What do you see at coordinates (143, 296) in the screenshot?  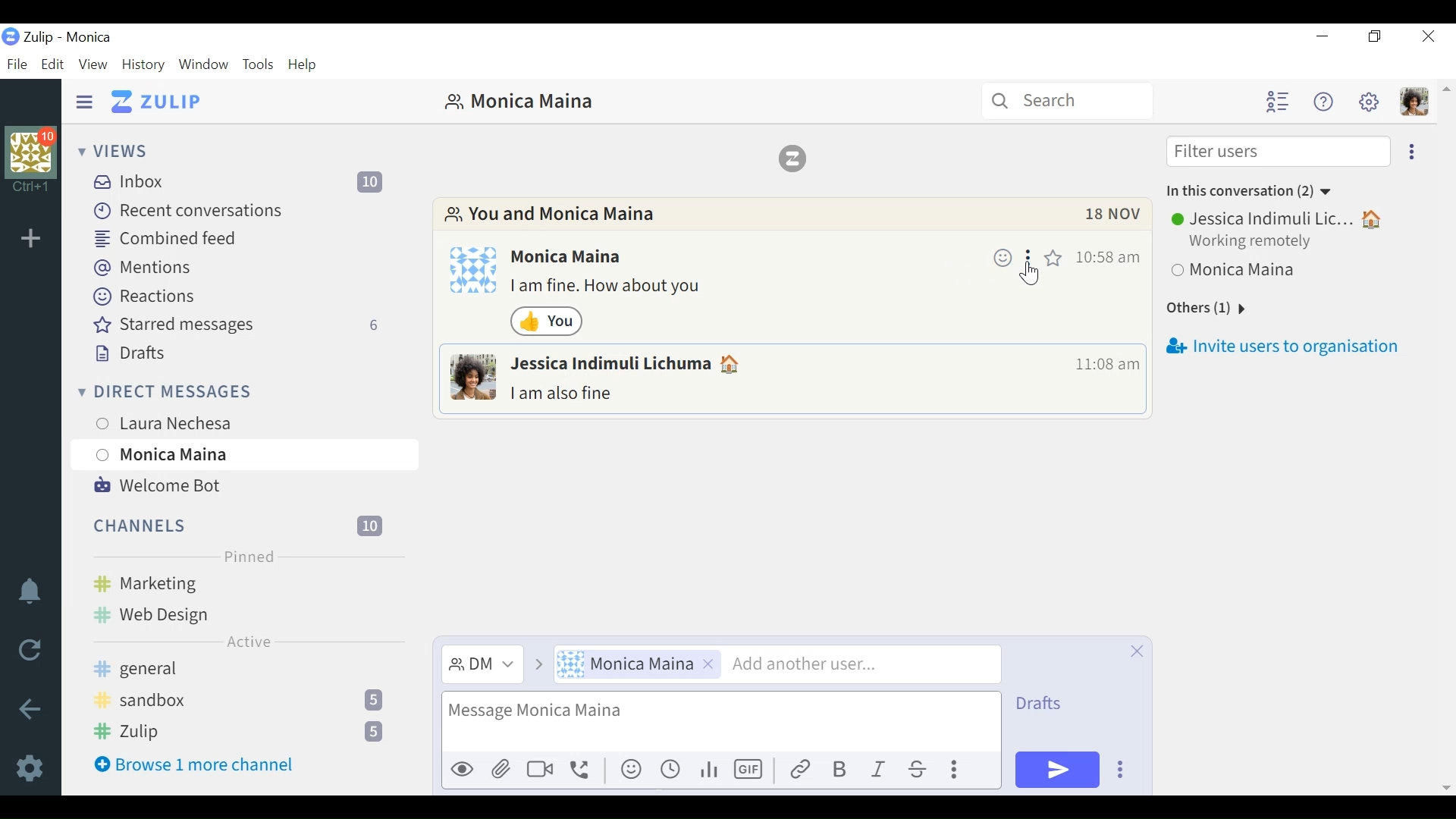 I see `Reactions` at bounding box center [143, 296].